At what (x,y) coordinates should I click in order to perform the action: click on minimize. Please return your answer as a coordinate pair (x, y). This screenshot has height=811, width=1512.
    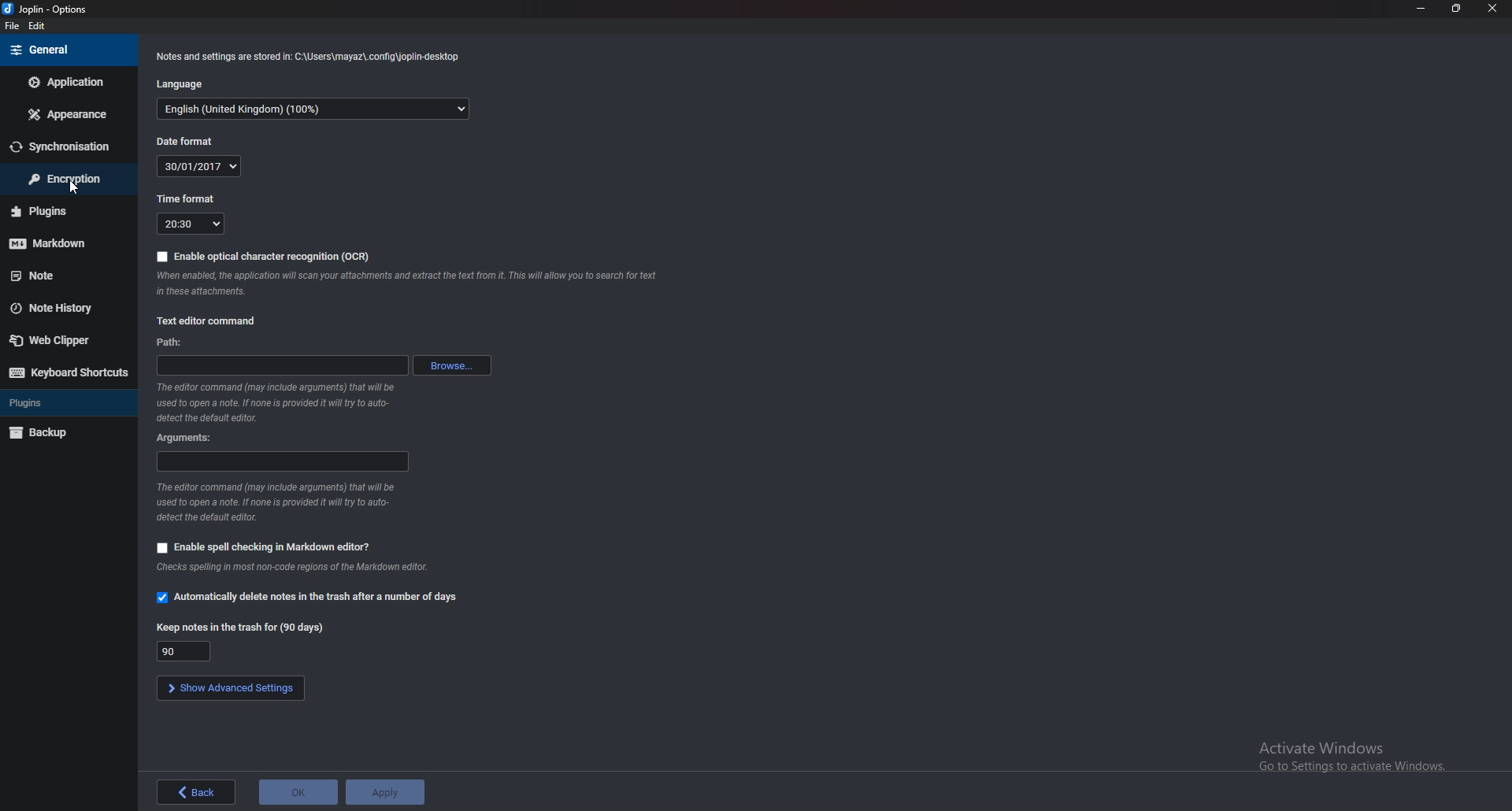
    Looking at the image, I should click on (1420, 8).